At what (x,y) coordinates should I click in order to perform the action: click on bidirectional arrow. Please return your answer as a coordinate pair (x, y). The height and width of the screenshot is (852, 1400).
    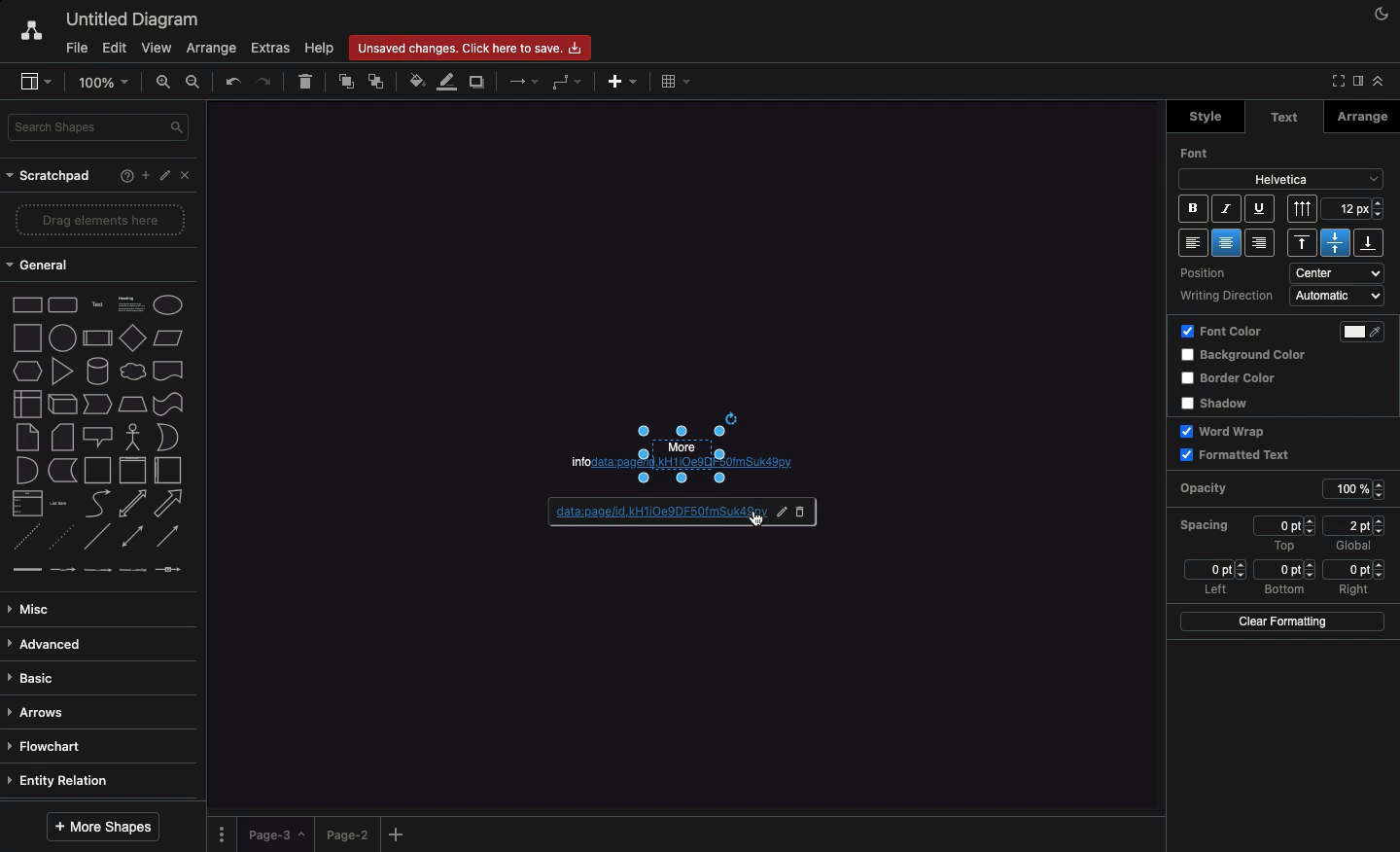
    Looking at the image, I should click on (131, 504).